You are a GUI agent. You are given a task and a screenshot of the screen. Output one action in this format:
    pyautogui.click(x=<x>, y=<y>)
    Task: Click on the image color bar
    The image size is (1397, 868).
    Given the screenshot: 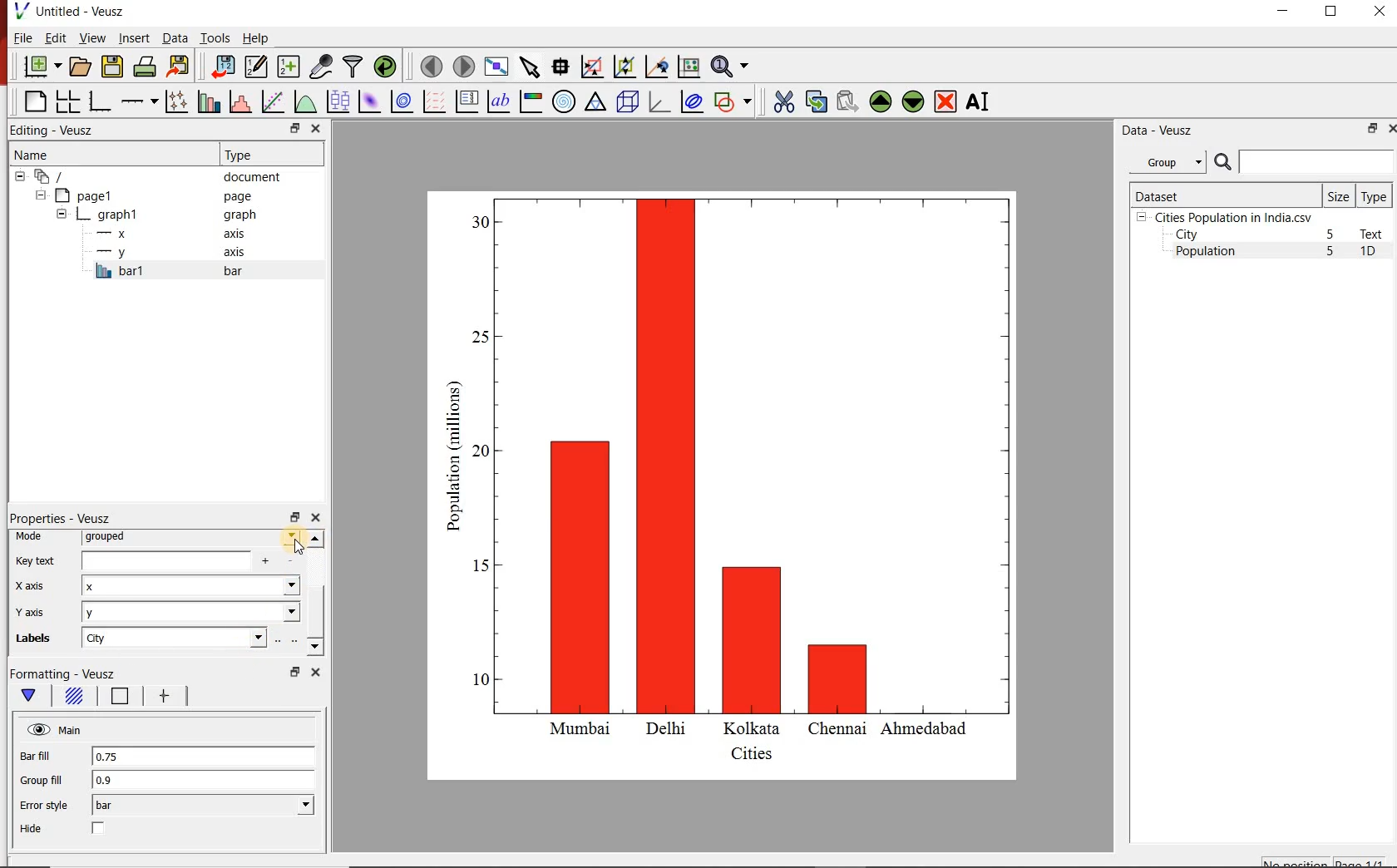 What is the action you would take?
    pyautogui.click(x=531, y=101)
    